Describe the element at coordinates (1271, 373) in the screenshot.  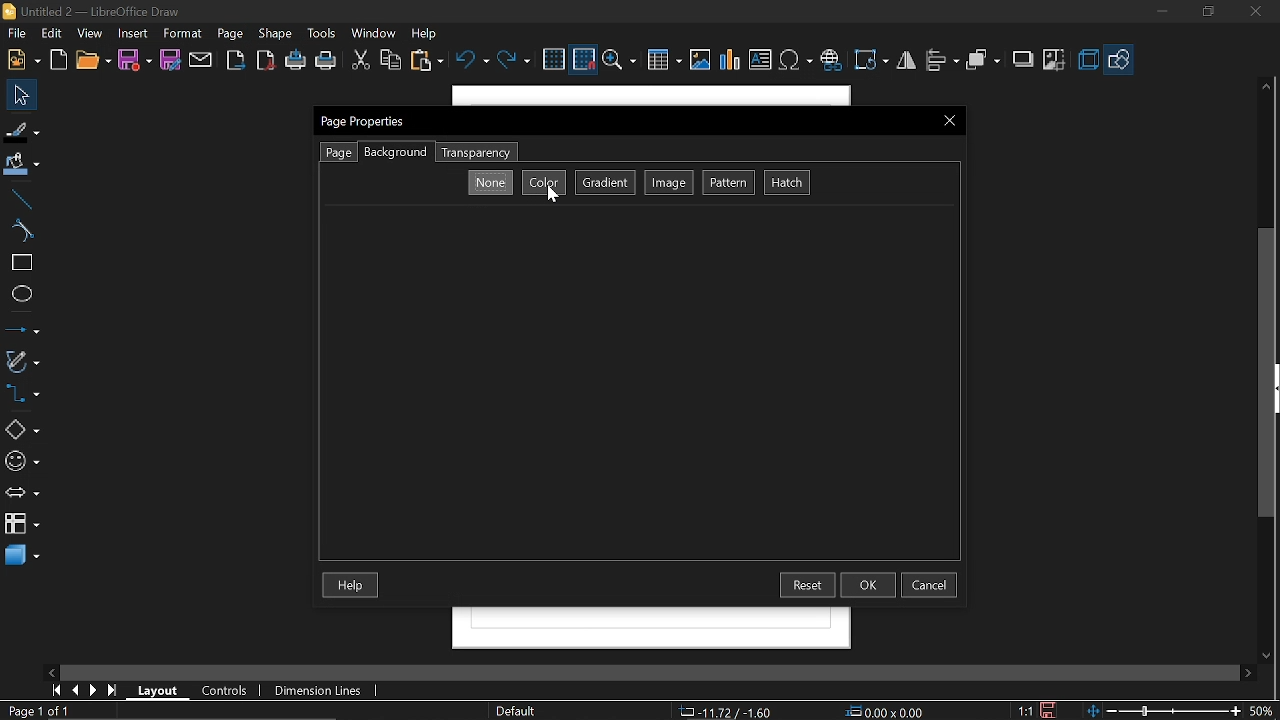
I see `Vertical scrollbar` at that location.